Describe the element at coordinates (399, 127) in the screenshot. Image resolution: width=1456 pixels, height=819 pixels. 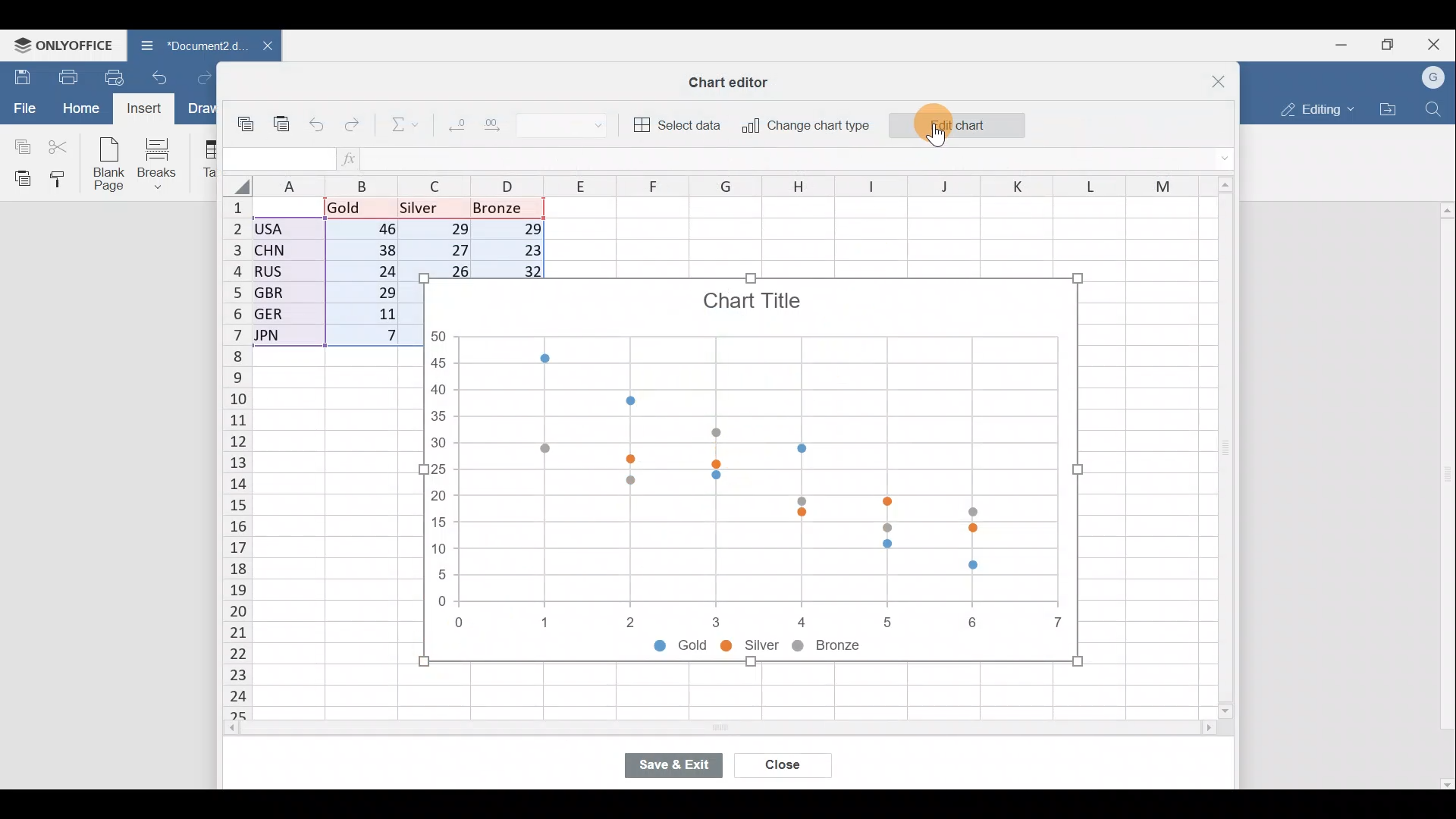
I see `Summation` at that location.